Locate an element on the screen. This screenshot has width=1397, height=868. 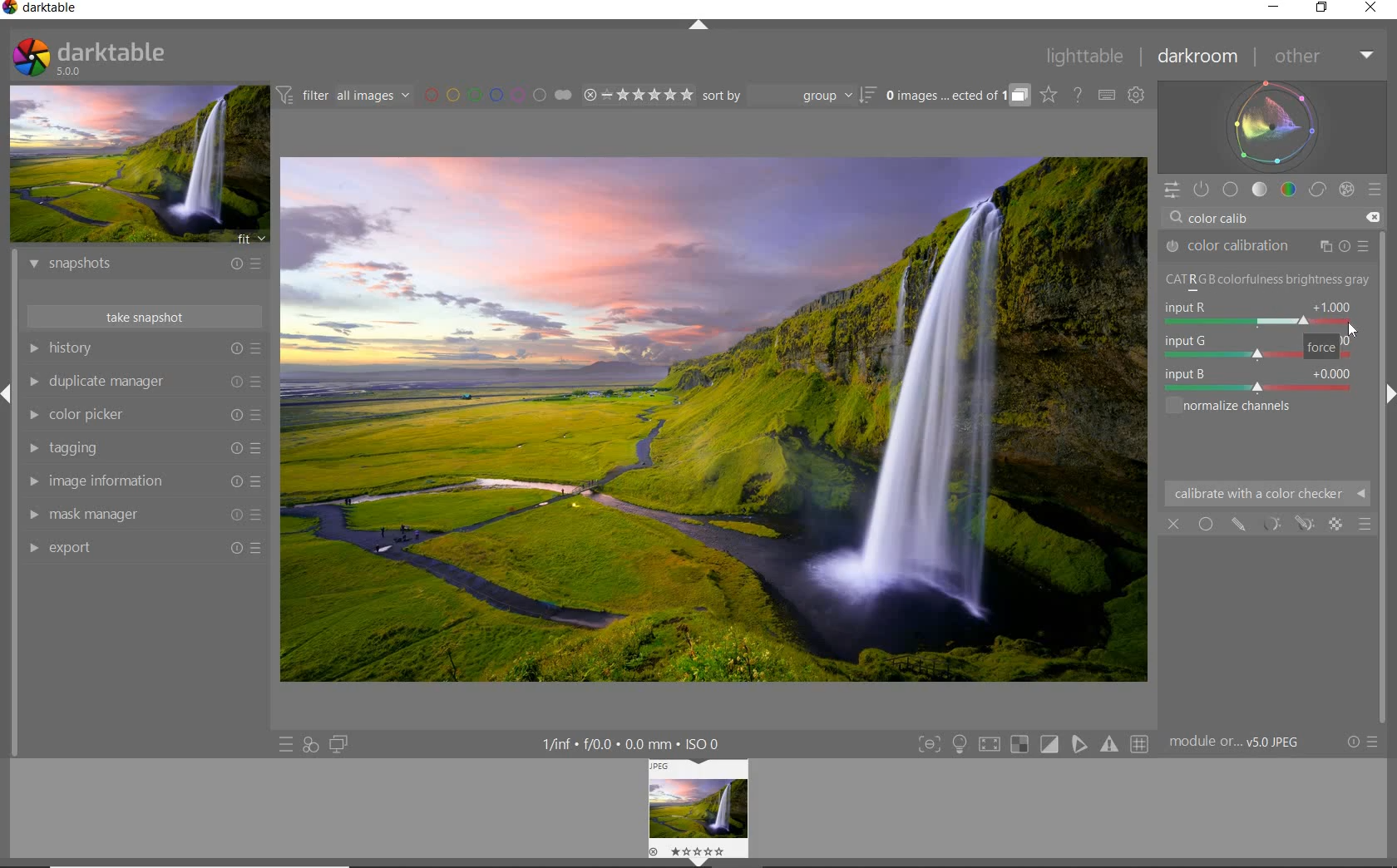
BLENDING OPTIONS is located at coordinates (1365, 525).